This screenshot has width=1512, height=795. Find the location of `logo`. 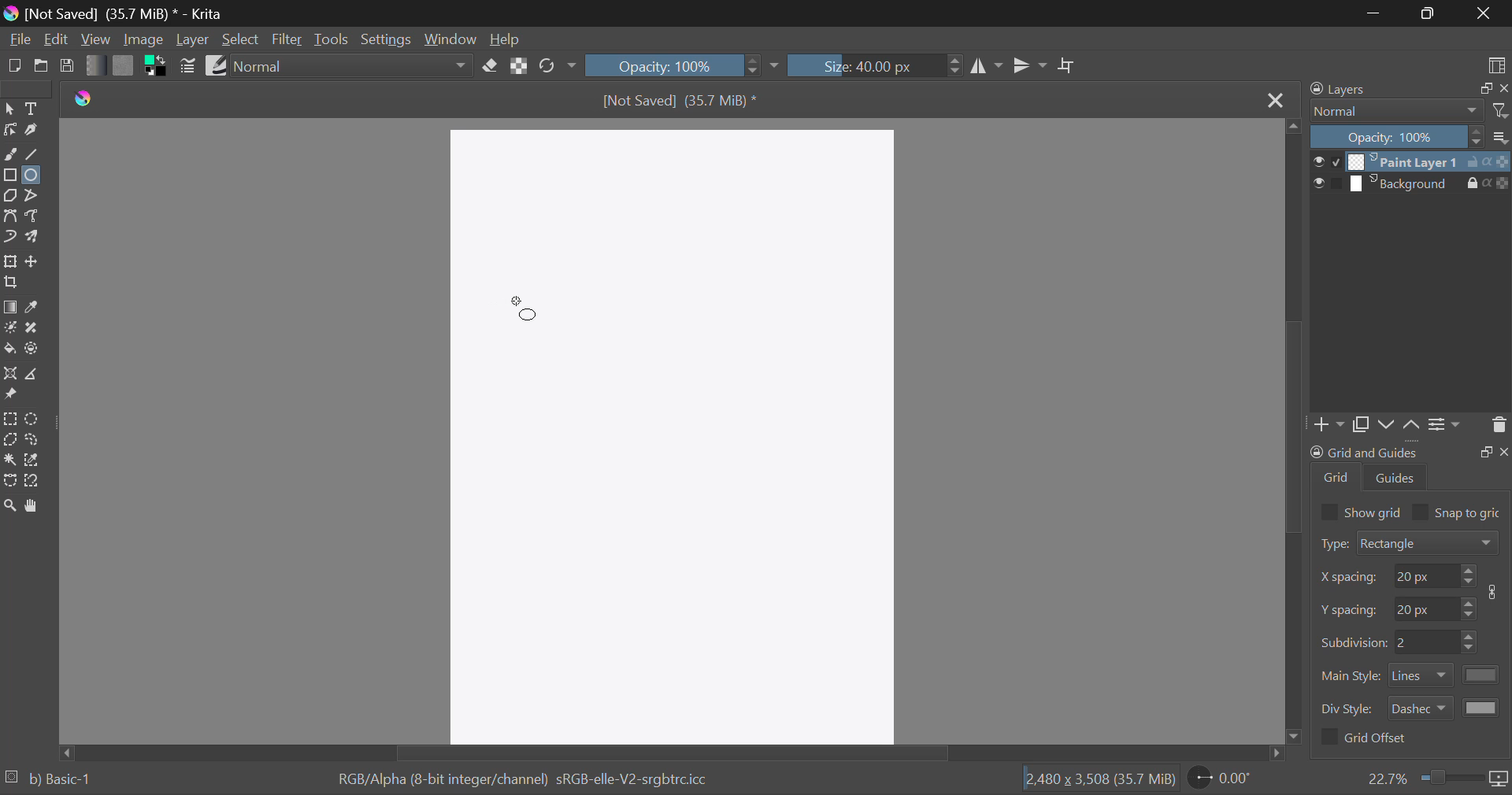

logo is located at coordinates (85, 103).